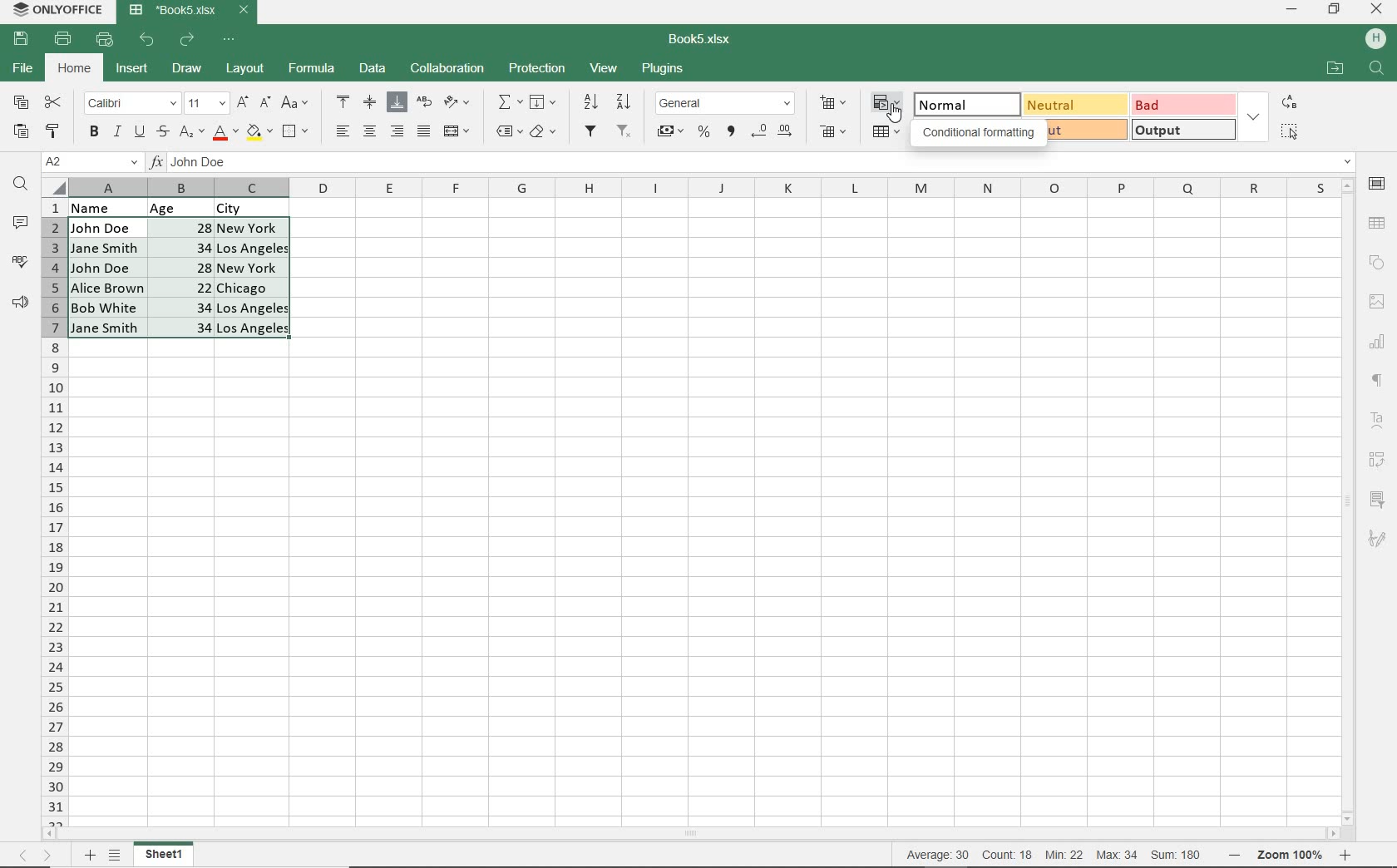 Image resolution: width=1397 pixels, height=868 pixels. Describe the element at coordinates (706, 40) in the screenshot. I see `DOCUMENT NAME` at that location.